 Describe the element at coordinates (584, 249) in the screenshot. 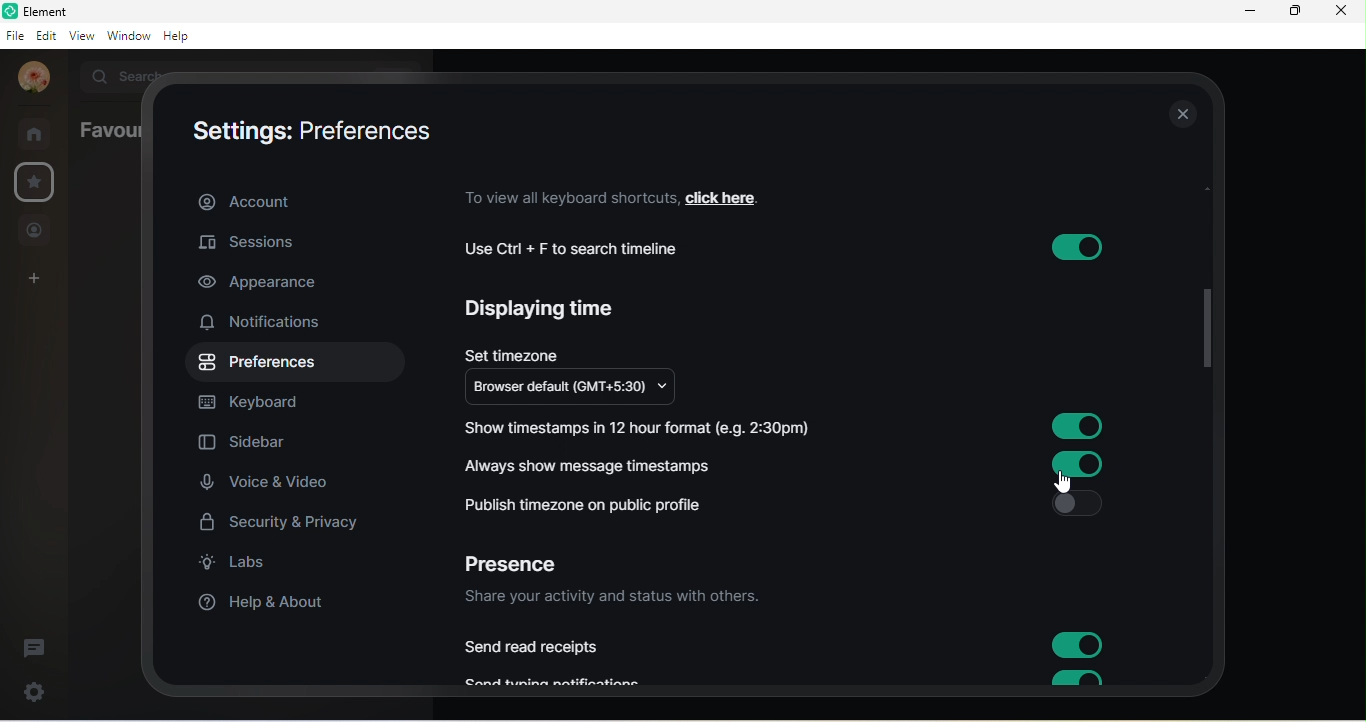

I see `use ctrl+f to search timeline` at that location.